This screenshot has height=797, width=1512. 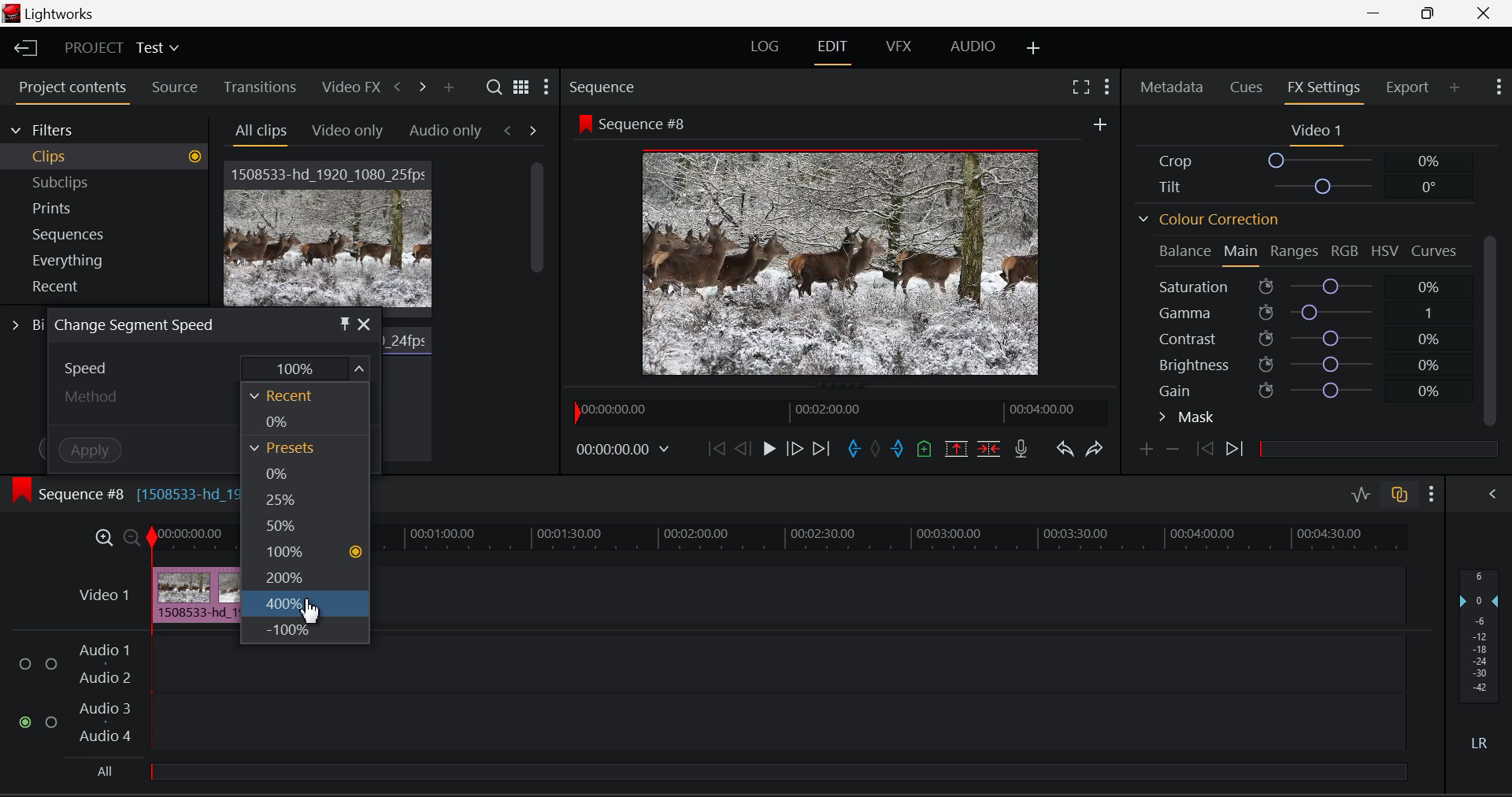 What do you see at coordinates (776, 665) in the screenshot?
I see `Audio Input Field` at bounding box center [776, 665].